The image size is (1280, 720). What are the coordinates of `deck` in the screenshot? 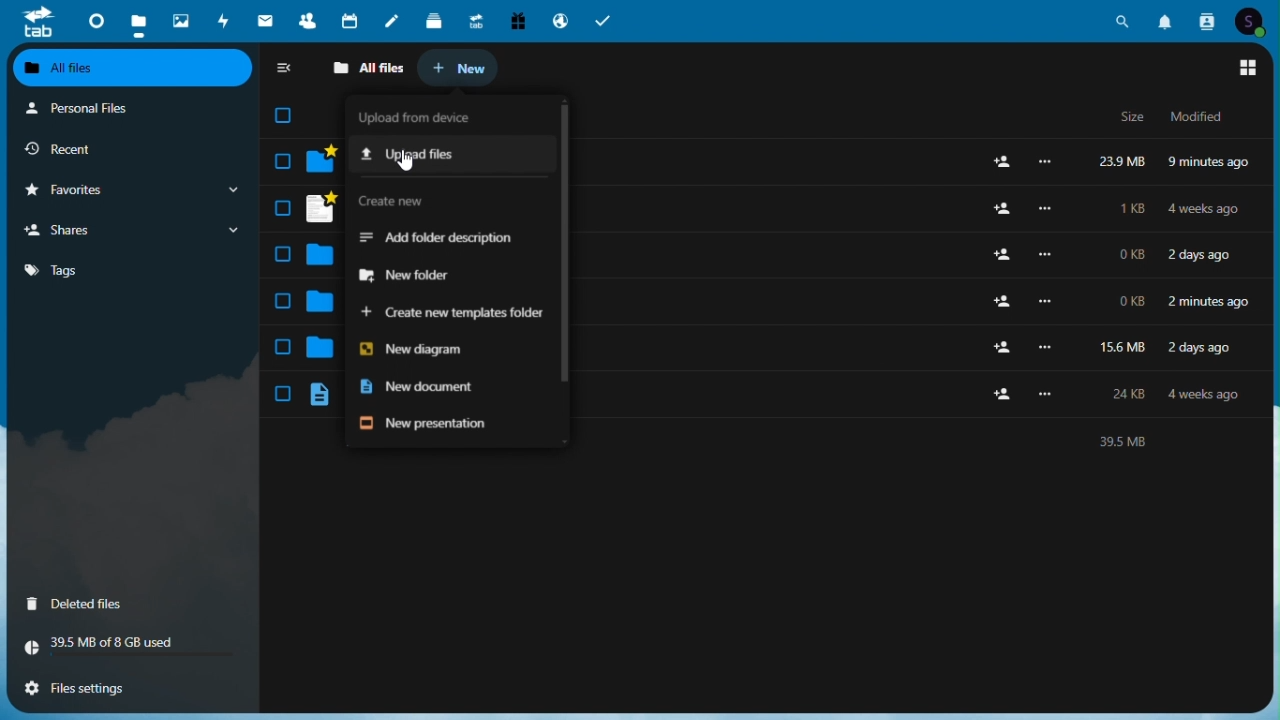 It's located at (434, 19).